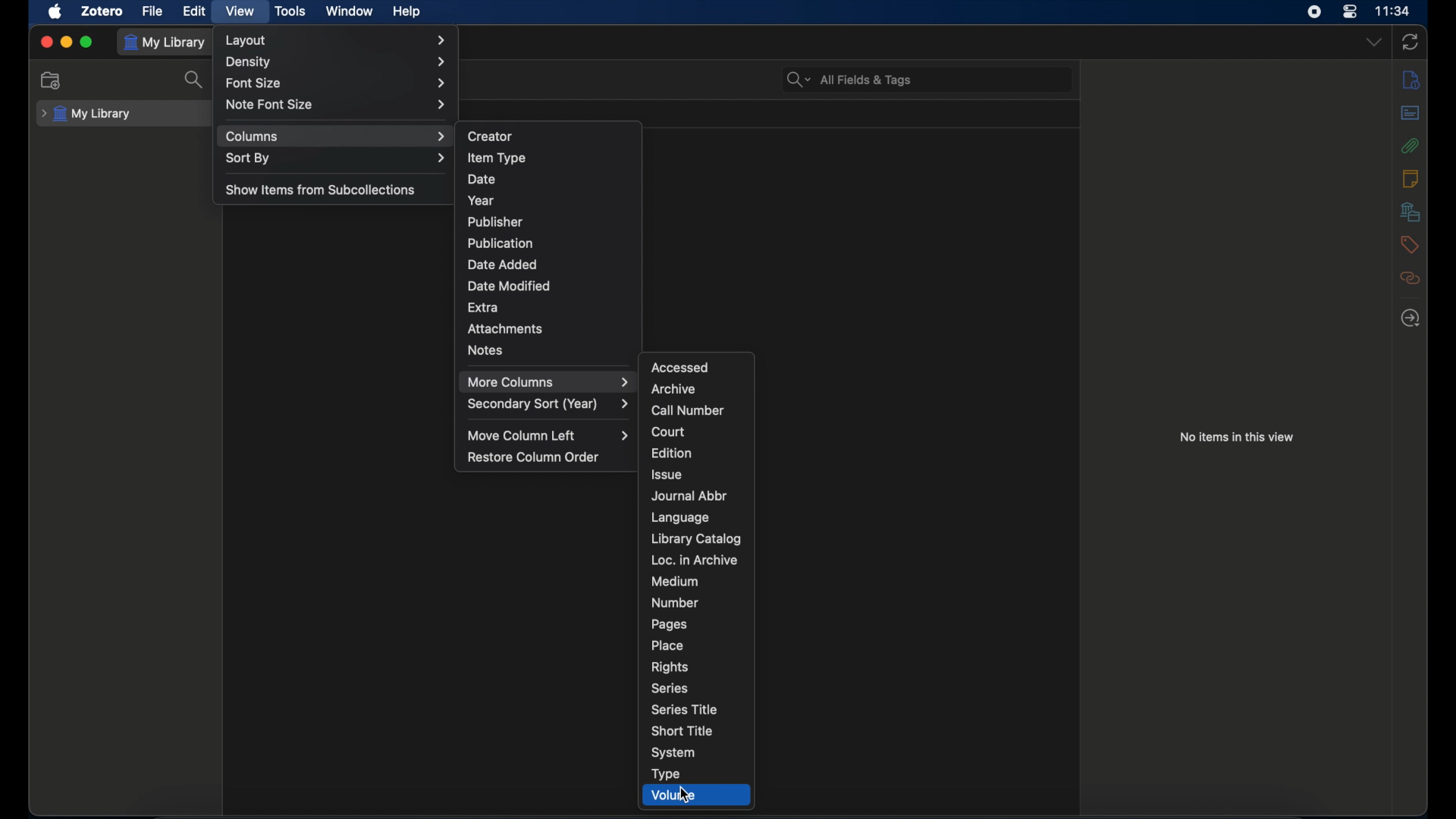  I want to click on call number, so click(688, 410).